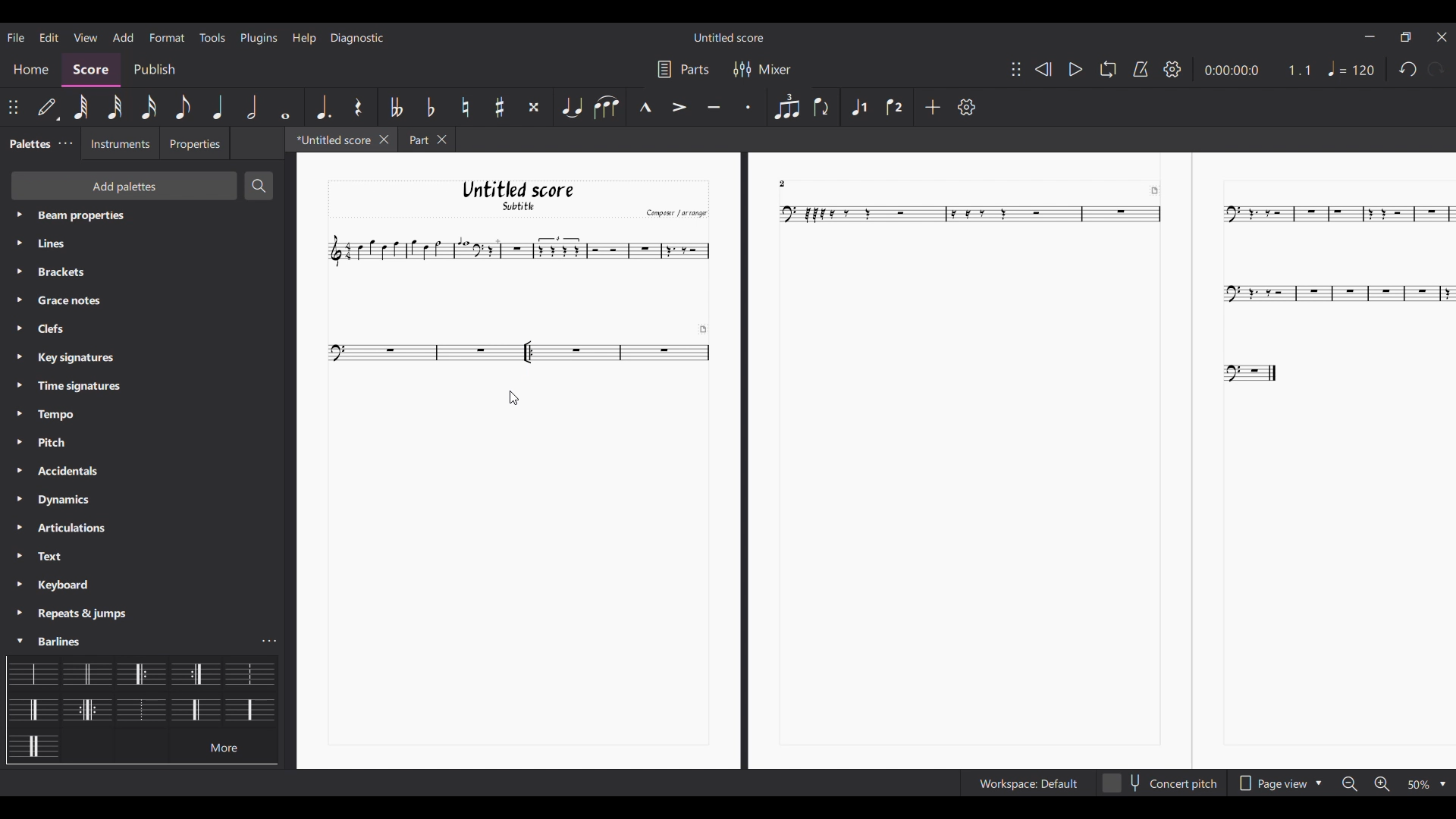 The width and height of the screenshot is (1456, 819). What do you see at coordinates (1141, 69) in the screenshot?
I see `Metronome` at bounding box center [1141, 69].